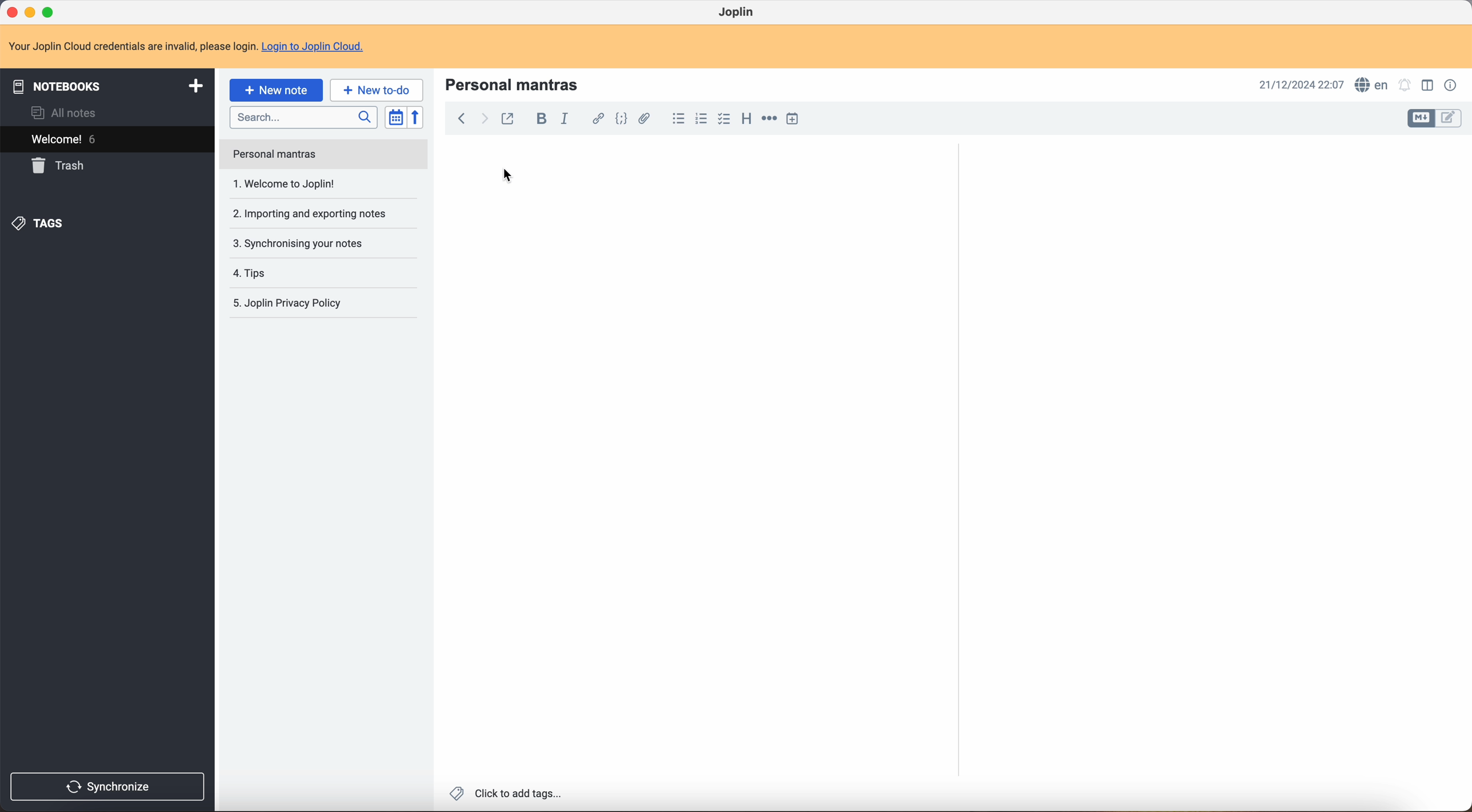 The image size is (1472, 812). What do you see at coordinates (1422, 119) in the screenshot?
I see `toggle edit layout` at bounding box center [1422, 119].